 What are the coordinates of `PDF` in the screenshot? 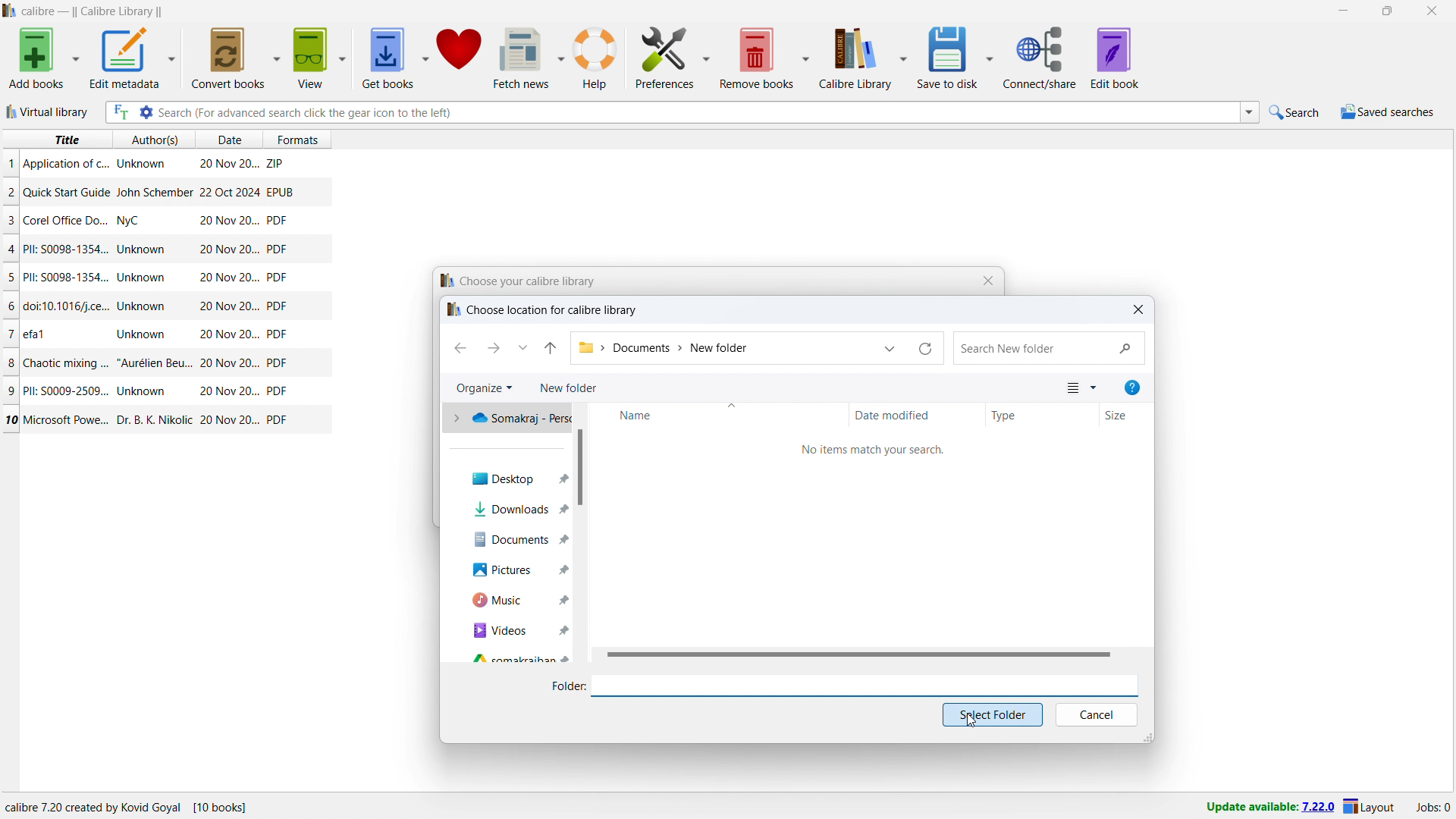 It's located at (278, 419).